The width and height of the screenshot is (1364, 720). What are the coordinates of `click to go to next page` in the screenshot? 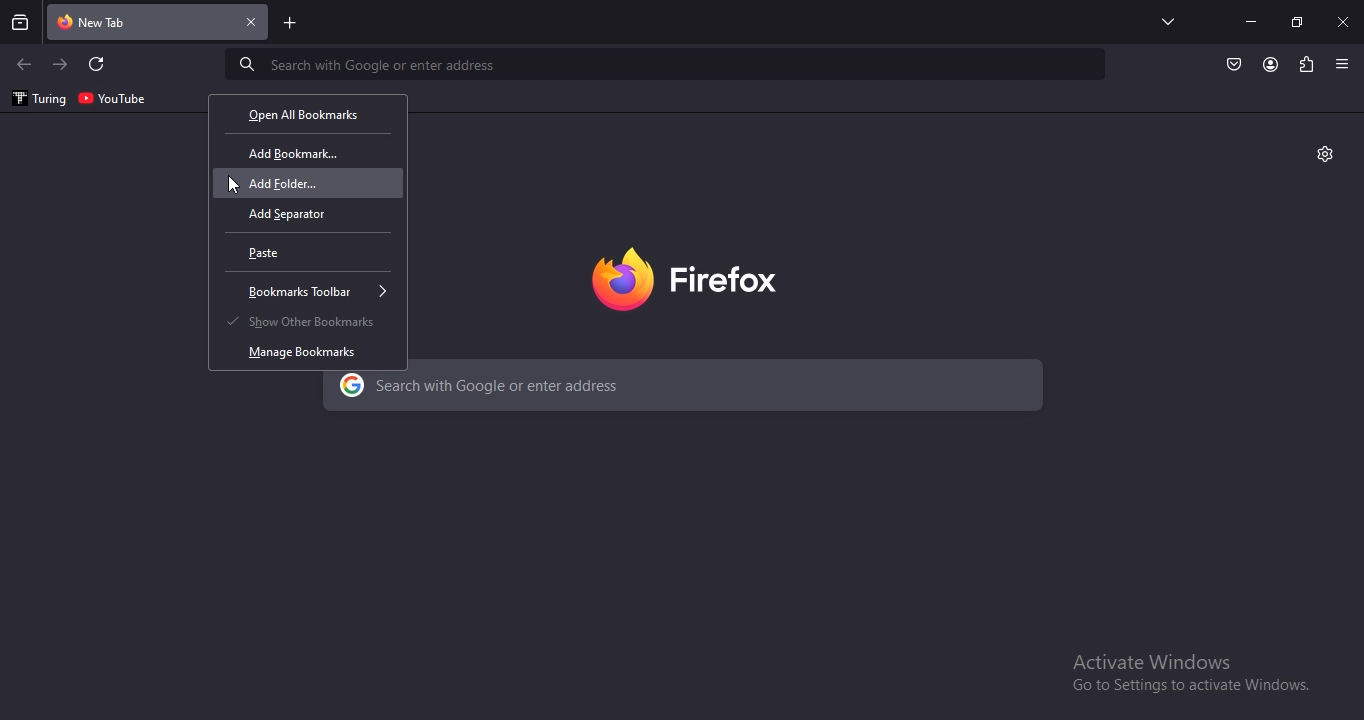 It's located at (61, 64).